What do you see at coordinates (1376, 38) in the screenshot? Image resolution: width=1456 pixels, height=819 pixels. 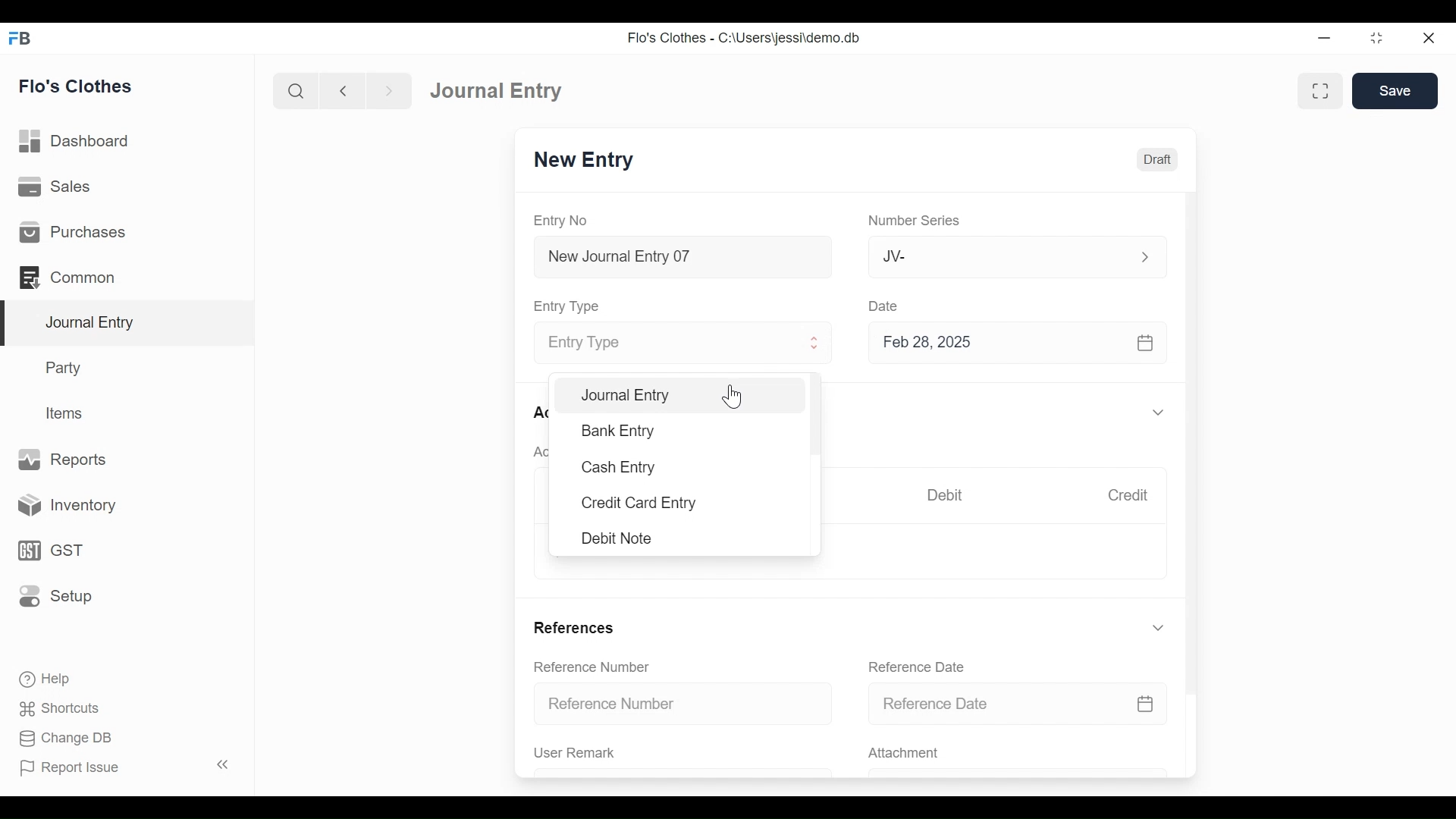 I see `Restore` at bounding box center [1376, 38].